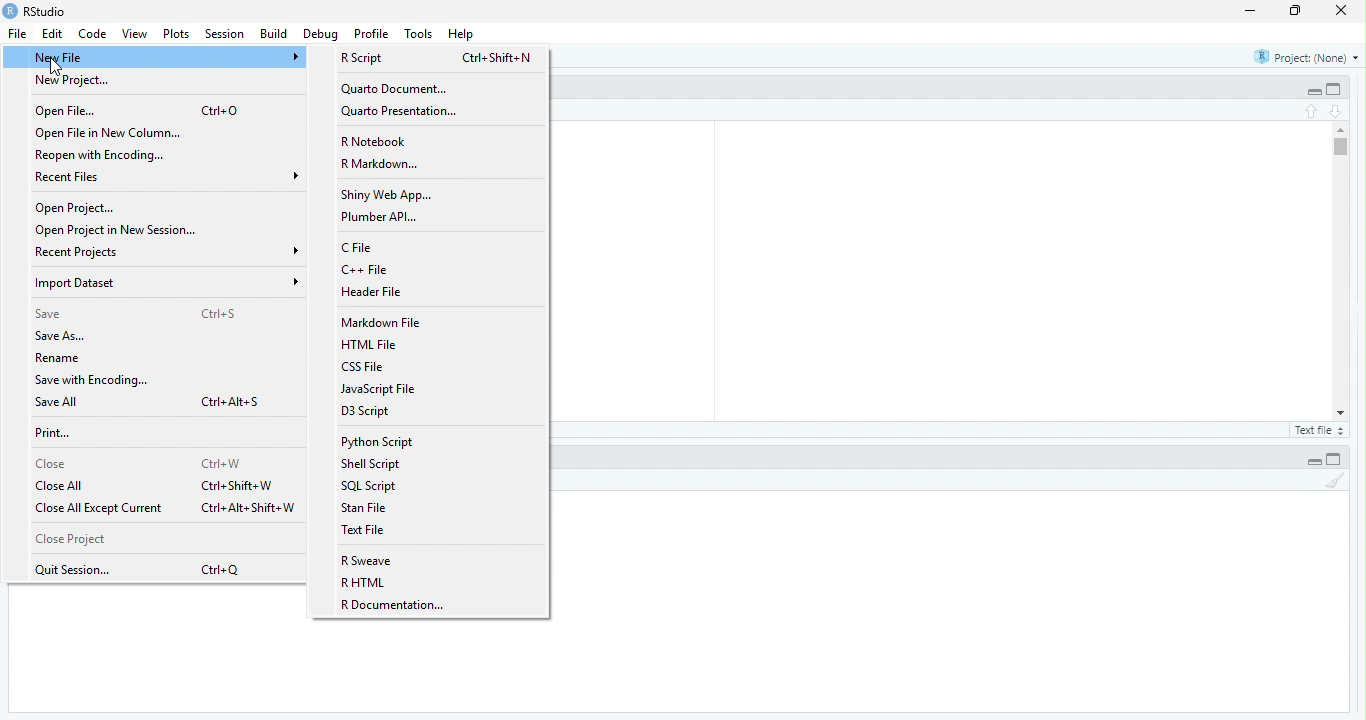  I want to click on scroll up, so click(1342, 130).